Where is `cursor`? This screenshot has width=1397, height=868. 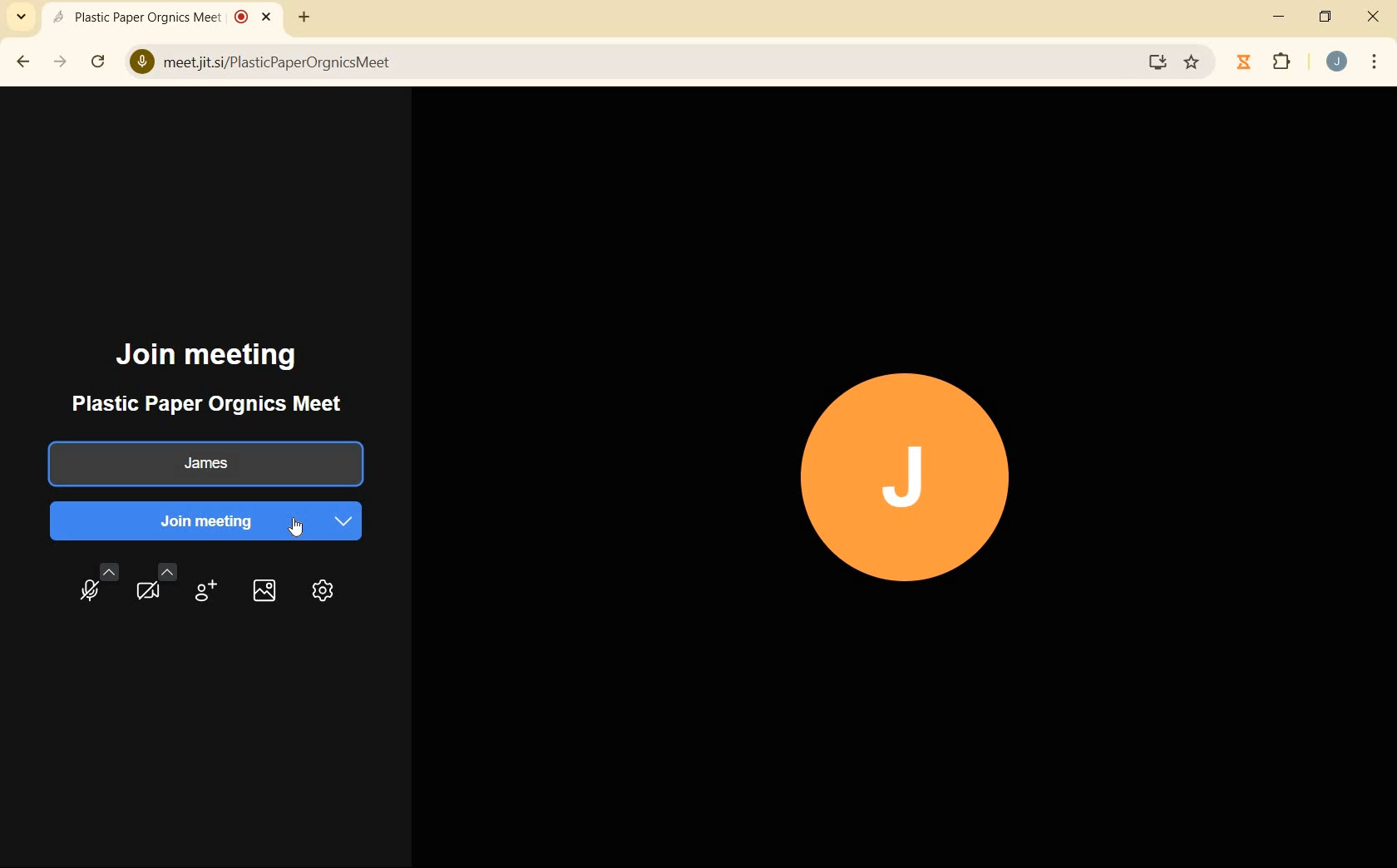 cursor is located at coordinates (302, 530).